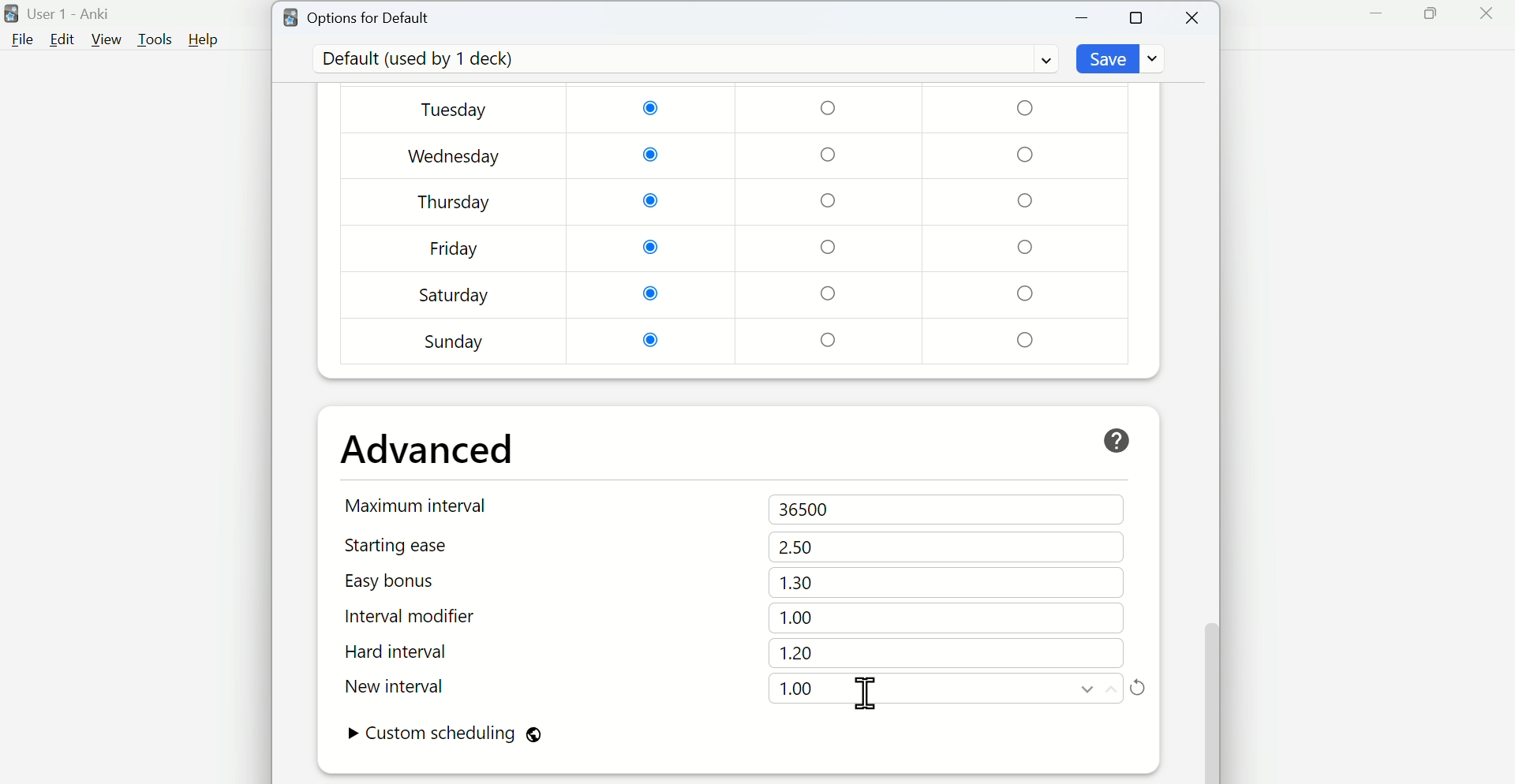  Describe the element at coordinates (1486, 14) in the screenshot. I see `Close` at that location.